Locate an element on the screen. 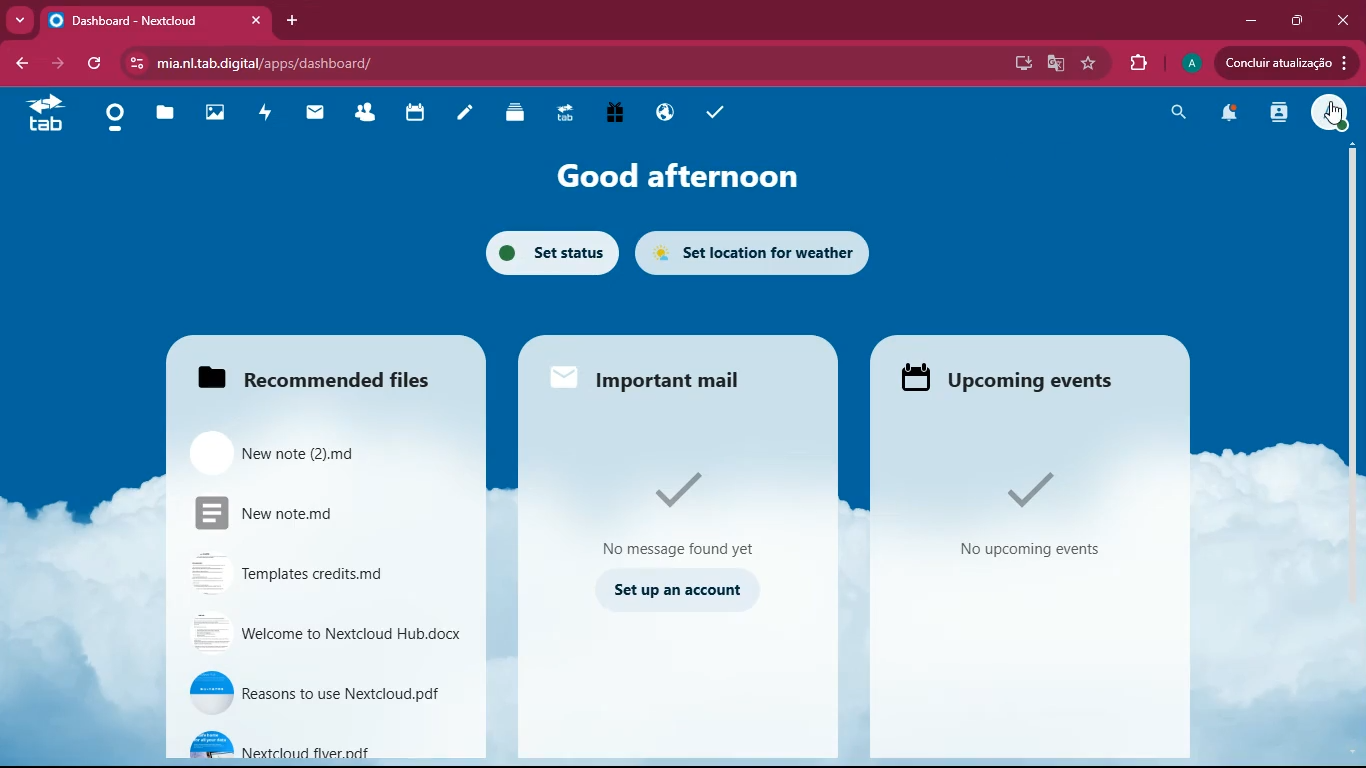 The height and width of the screenshot is (768, 1366). extensions is located at coordinates (1138, 63).